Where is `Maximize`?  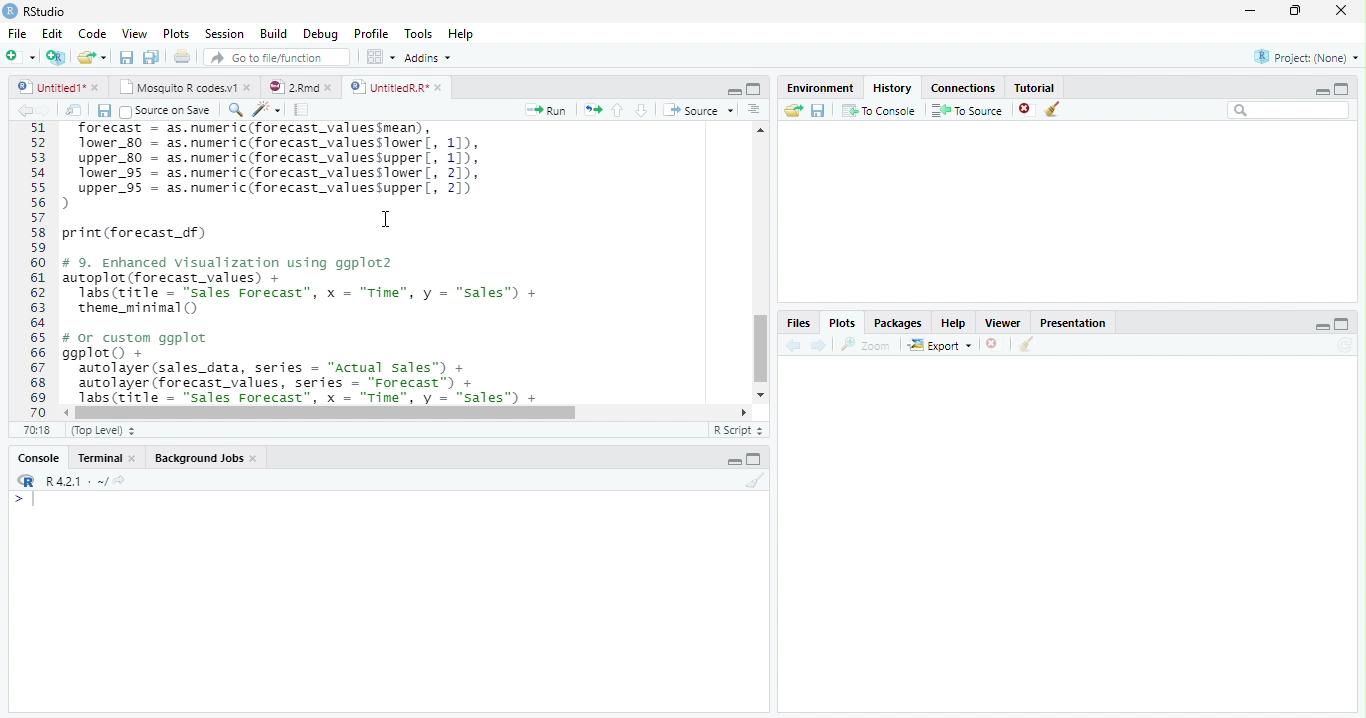 Maximize is located at coordinates (1346, 88).